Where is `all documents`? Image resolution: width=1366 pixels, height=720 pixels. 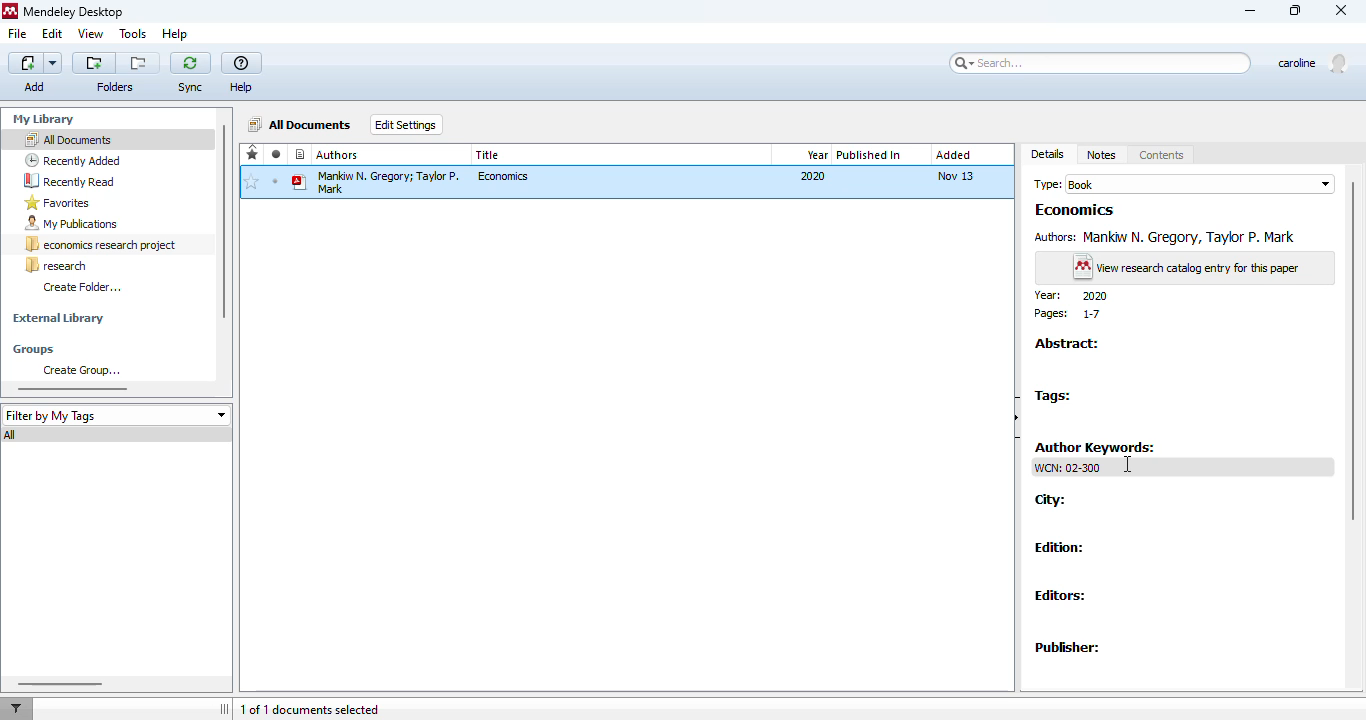
all documents is located at coordinates (67, 139).